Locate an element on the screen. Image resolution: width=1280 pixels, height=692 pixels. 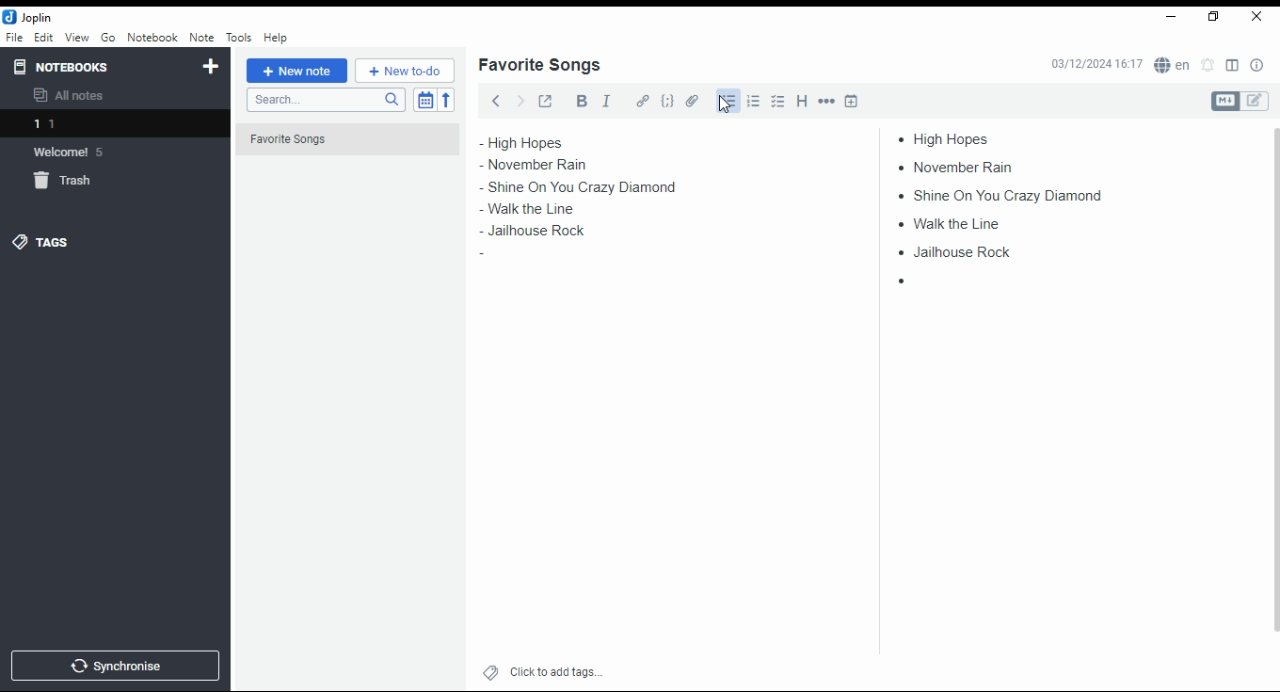
bold is located at coordinates (581, 101).